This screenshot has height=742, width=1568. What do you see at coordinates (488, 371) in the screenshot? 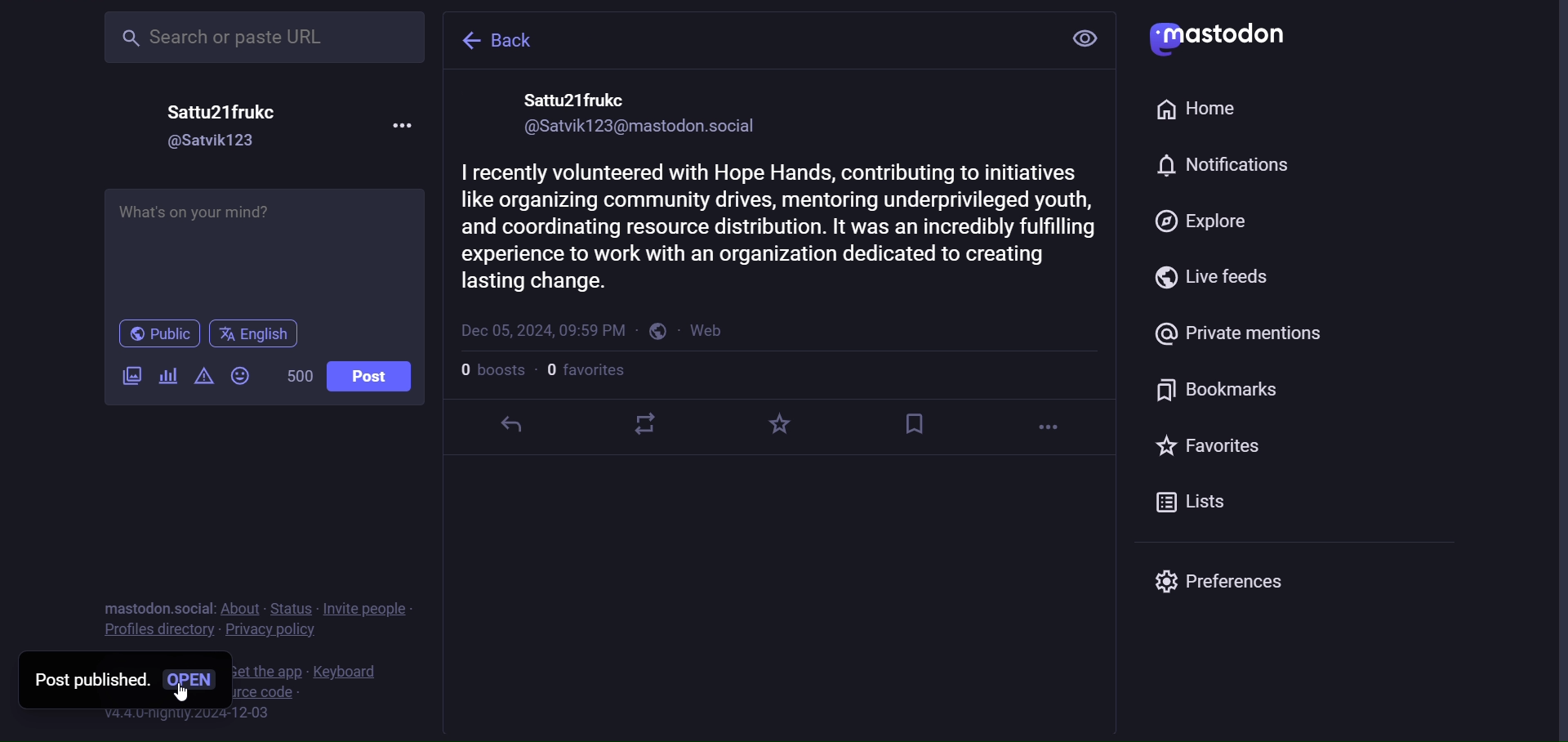
I see `number of boost` at bounding box center [488, 371].